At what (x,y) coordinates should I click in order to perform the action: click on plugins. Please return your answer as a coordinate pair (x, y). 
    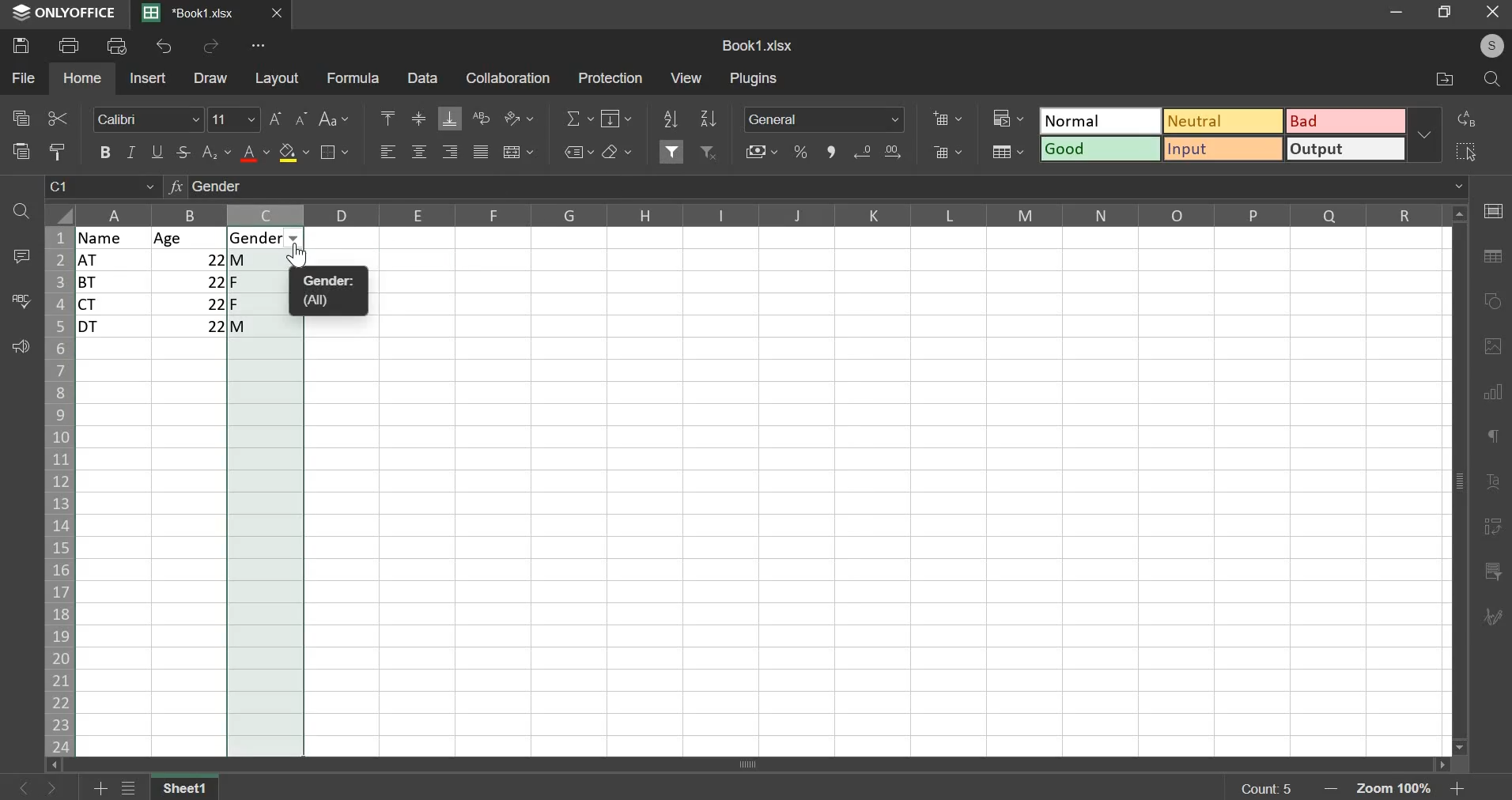
    Looking at the image, I should click on (754, 79).